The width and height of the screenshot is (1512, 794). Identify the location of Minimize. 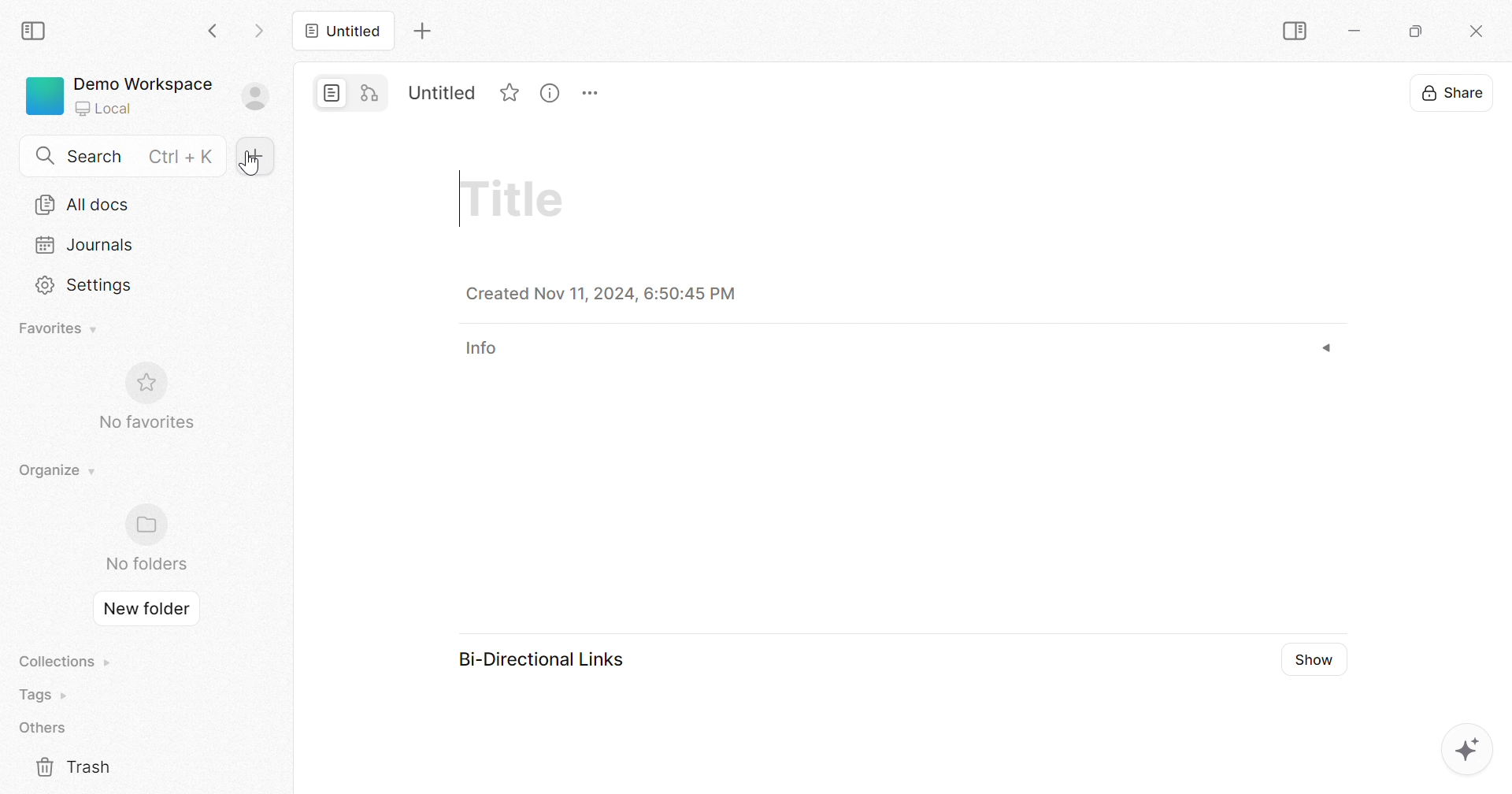
(1357, 34).